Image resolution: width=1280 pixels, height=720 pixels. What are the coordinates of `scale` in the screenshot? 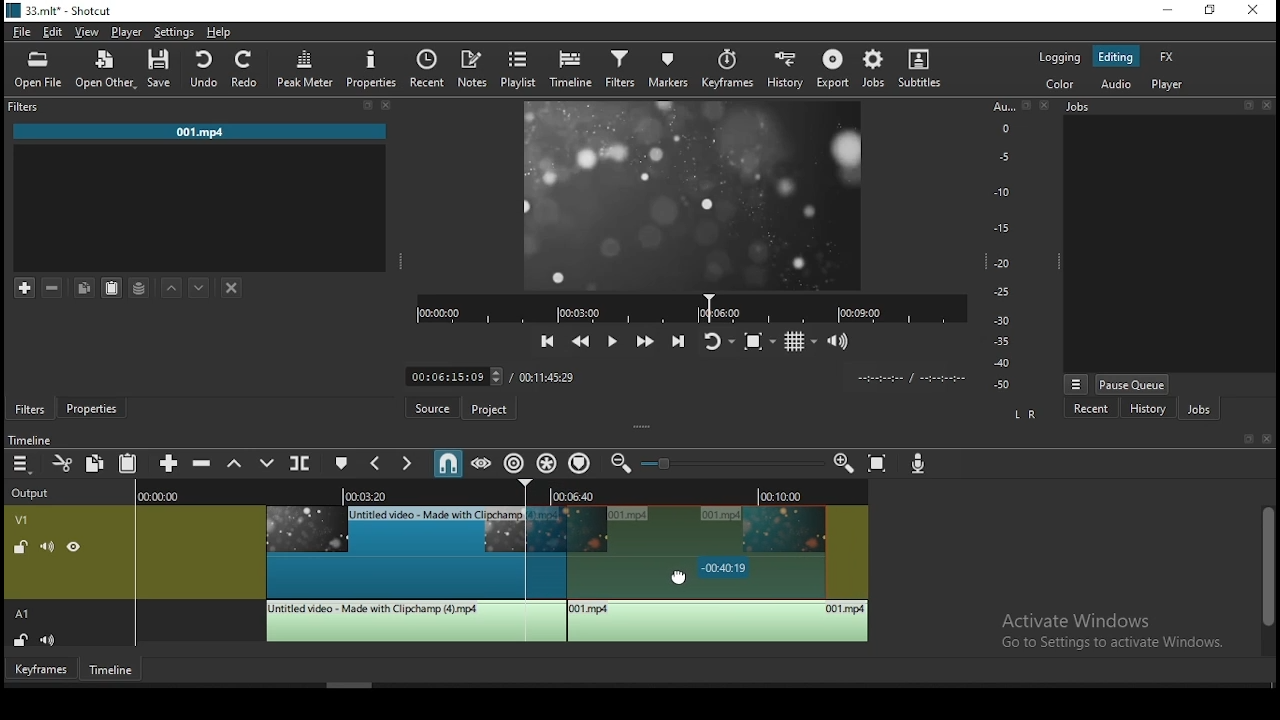 It's located at (1007, 245).